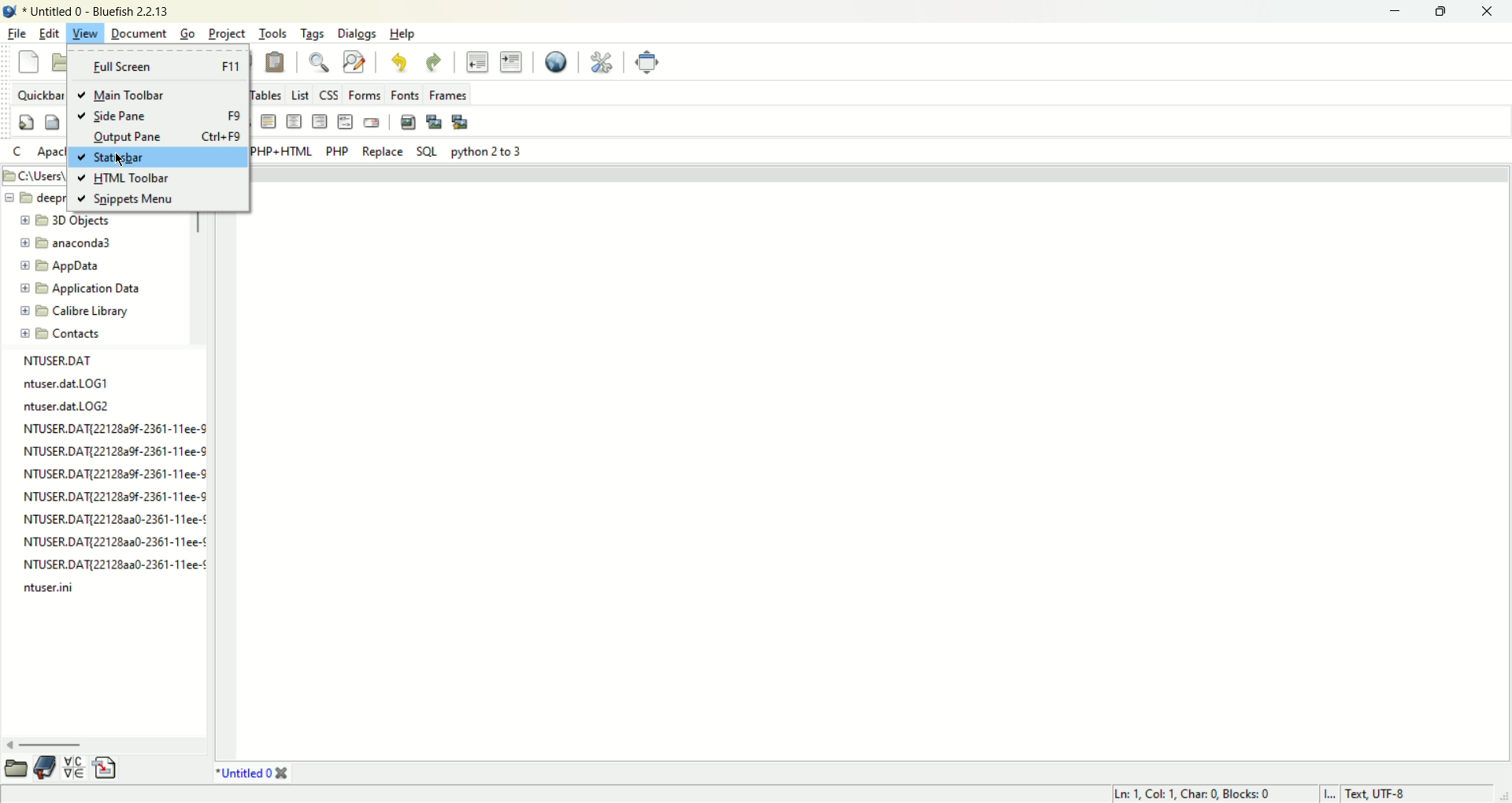  Describe the element at coordinates (282, 774) in the screenshot. I see `close` at that location.